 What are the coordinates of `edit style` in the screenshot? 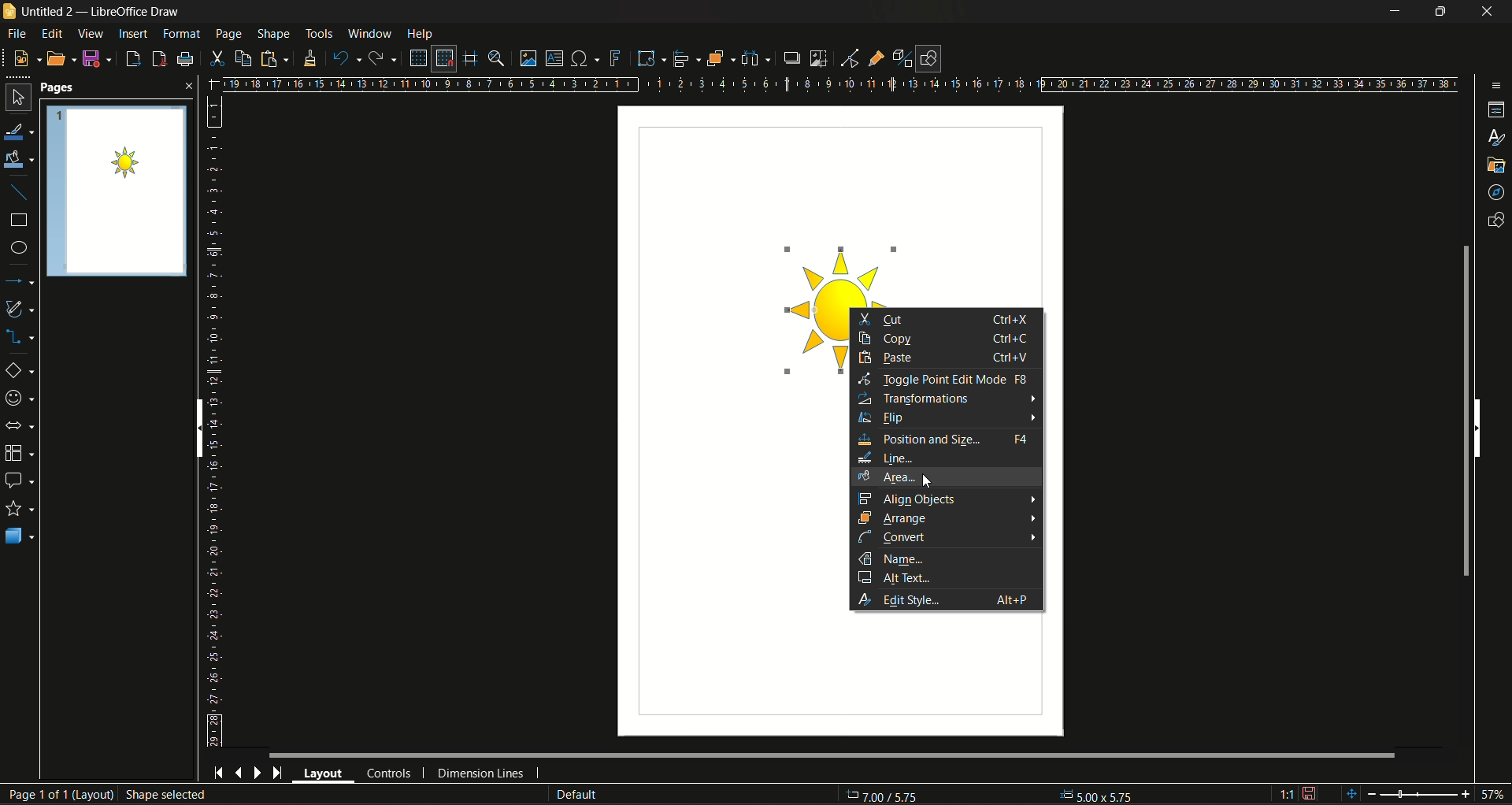 It's located at (906, 599).